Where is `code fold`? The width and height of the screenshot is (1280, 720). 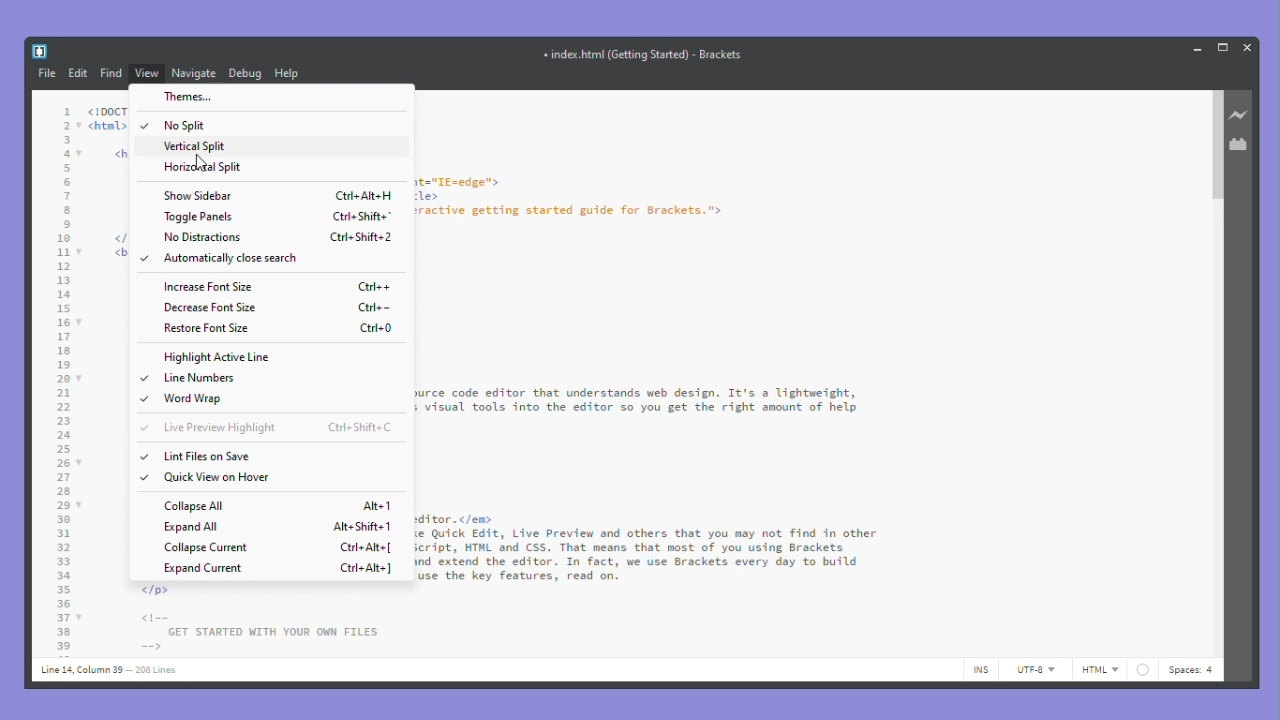
code fold is located at coordinates (80, 379).